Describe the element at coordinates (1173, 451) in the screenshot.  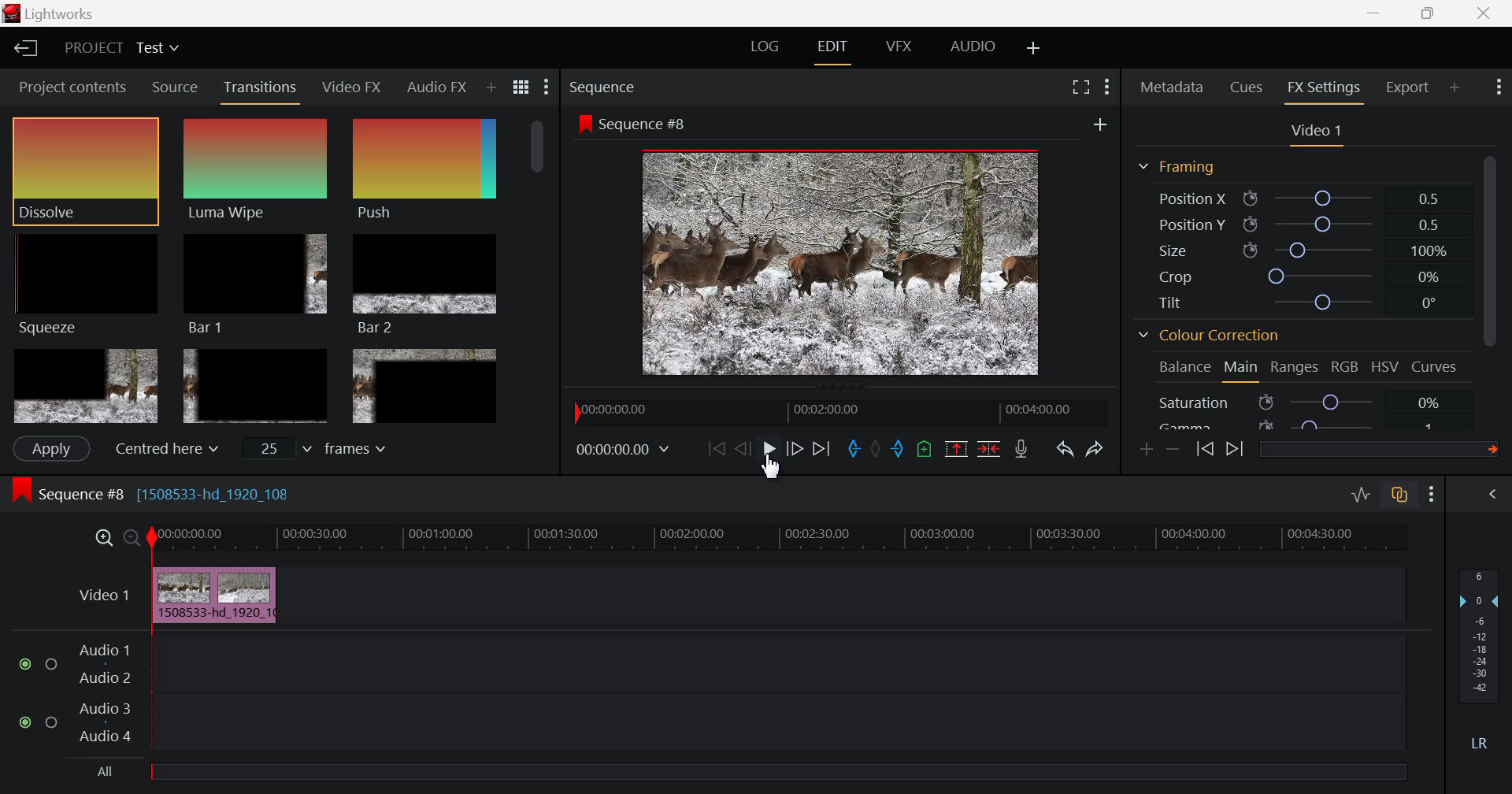
I see `Remove keyframe` at that location.